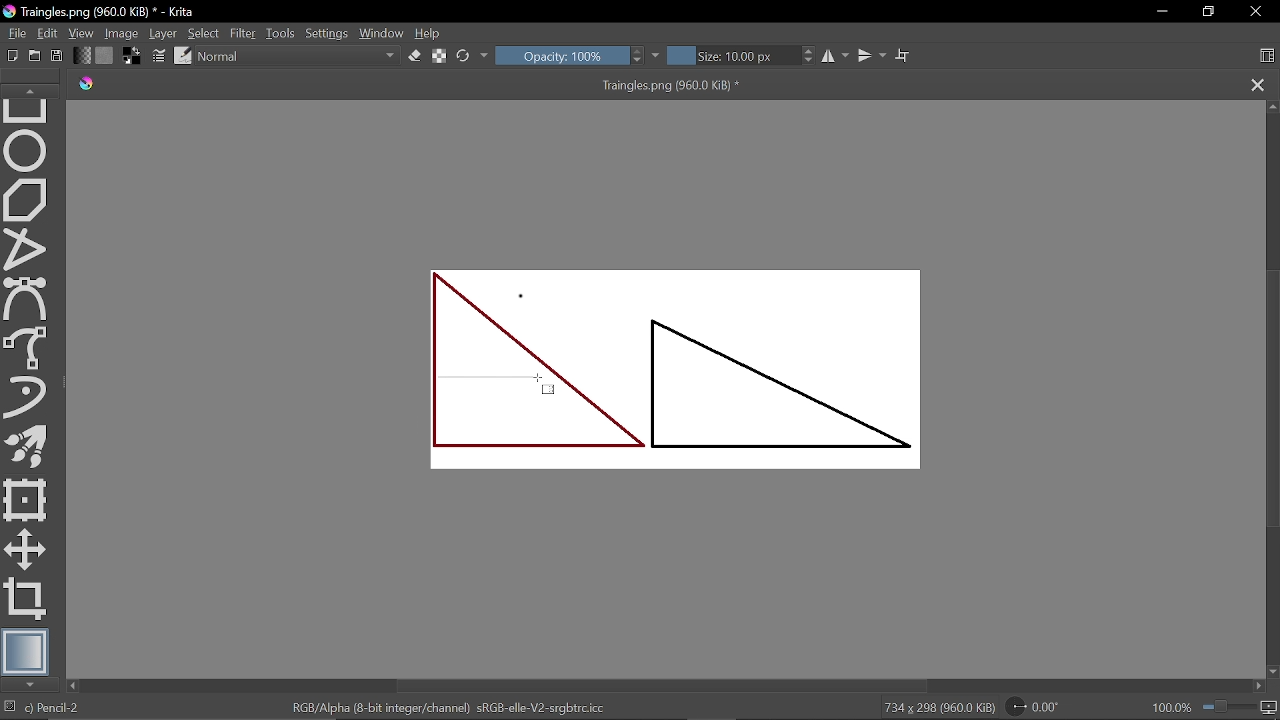 This screenshot has width=1280, height=720. Describe the element at coordinates (433, 33) in the screenshot. I see `Help` at that location.